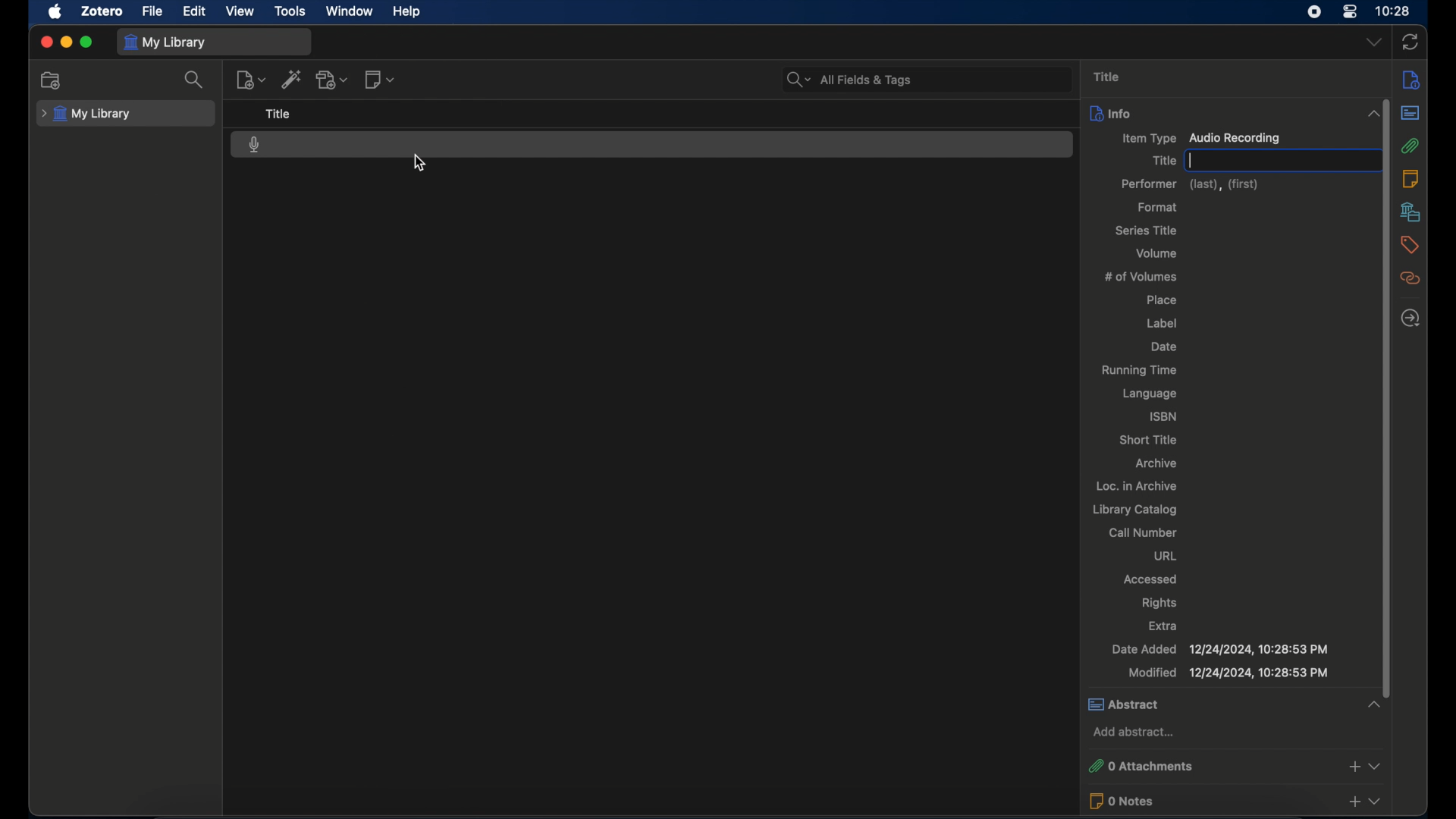 Image resolution: width=1456 pixels, height=819 pixels. What do you see at coordinates (1412, 246) in the screenshot?
I see `tags` at bounding box center [1412, 246].